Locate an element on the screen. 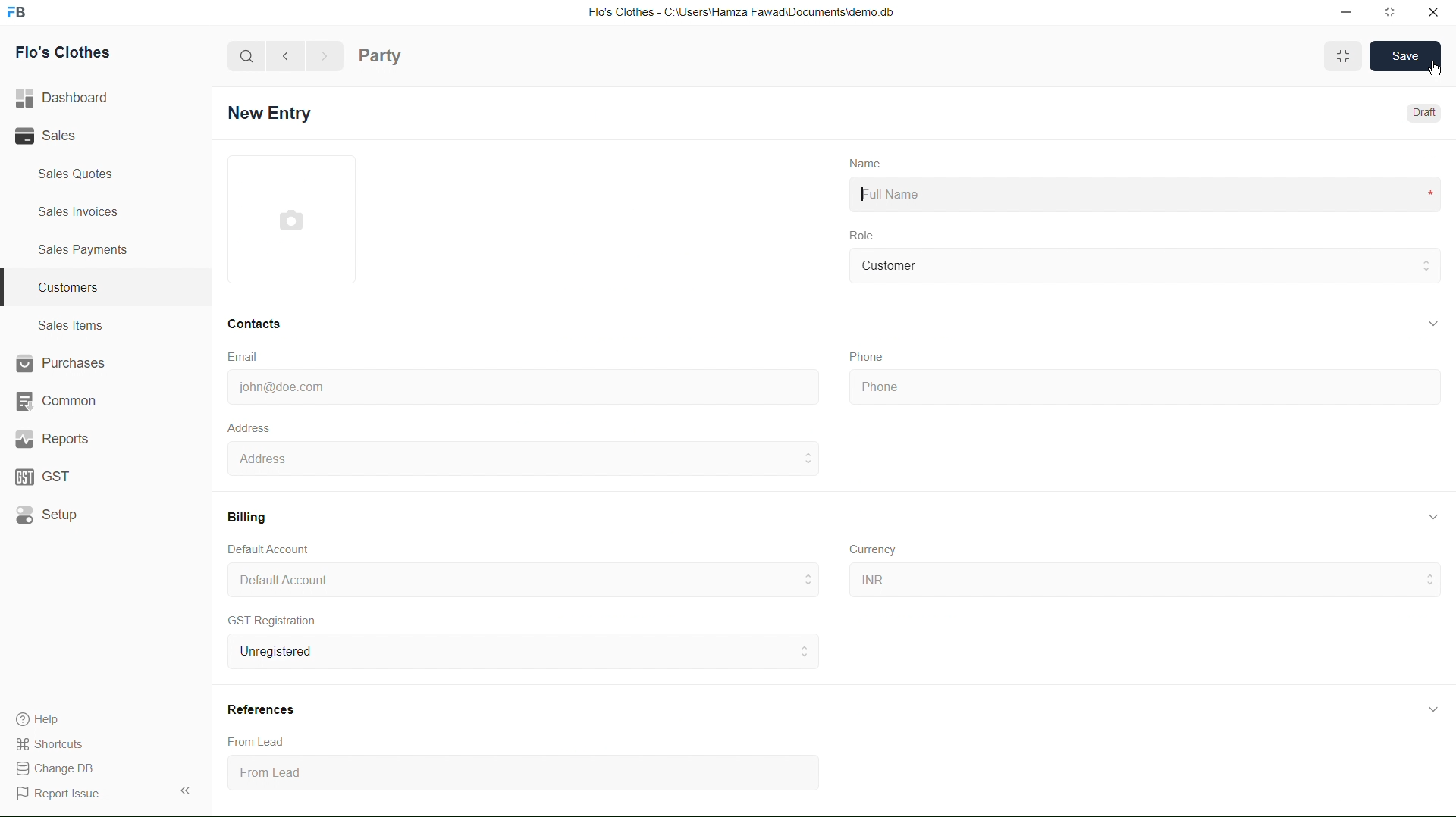 This screenshot has width=1456, height=817. Unregistered is located at coordinates (517, 653).